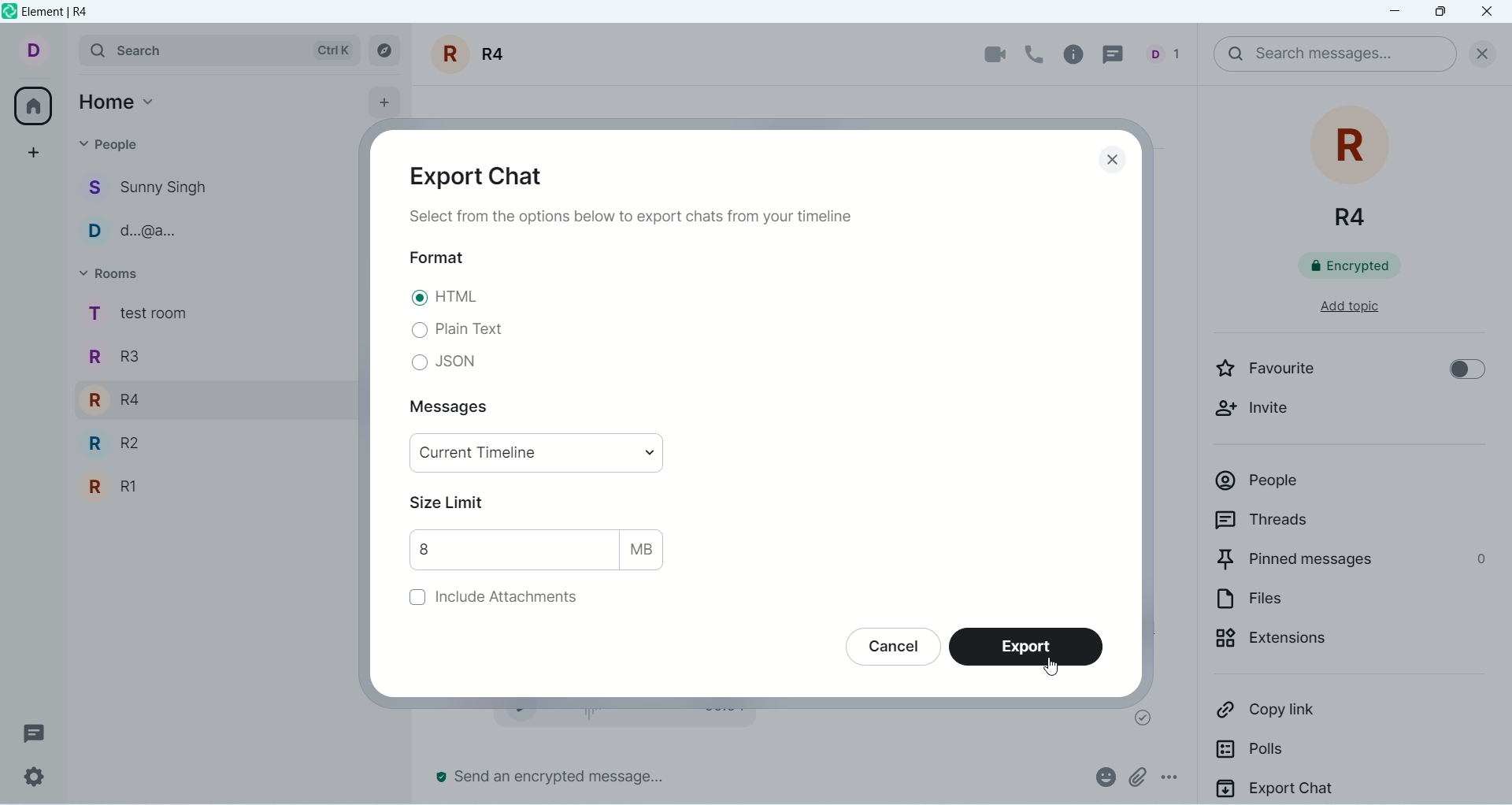  What do you see at coordinates (1301, 751) in the screenshot?
I see `polls` at bounding box center [1301, 751].